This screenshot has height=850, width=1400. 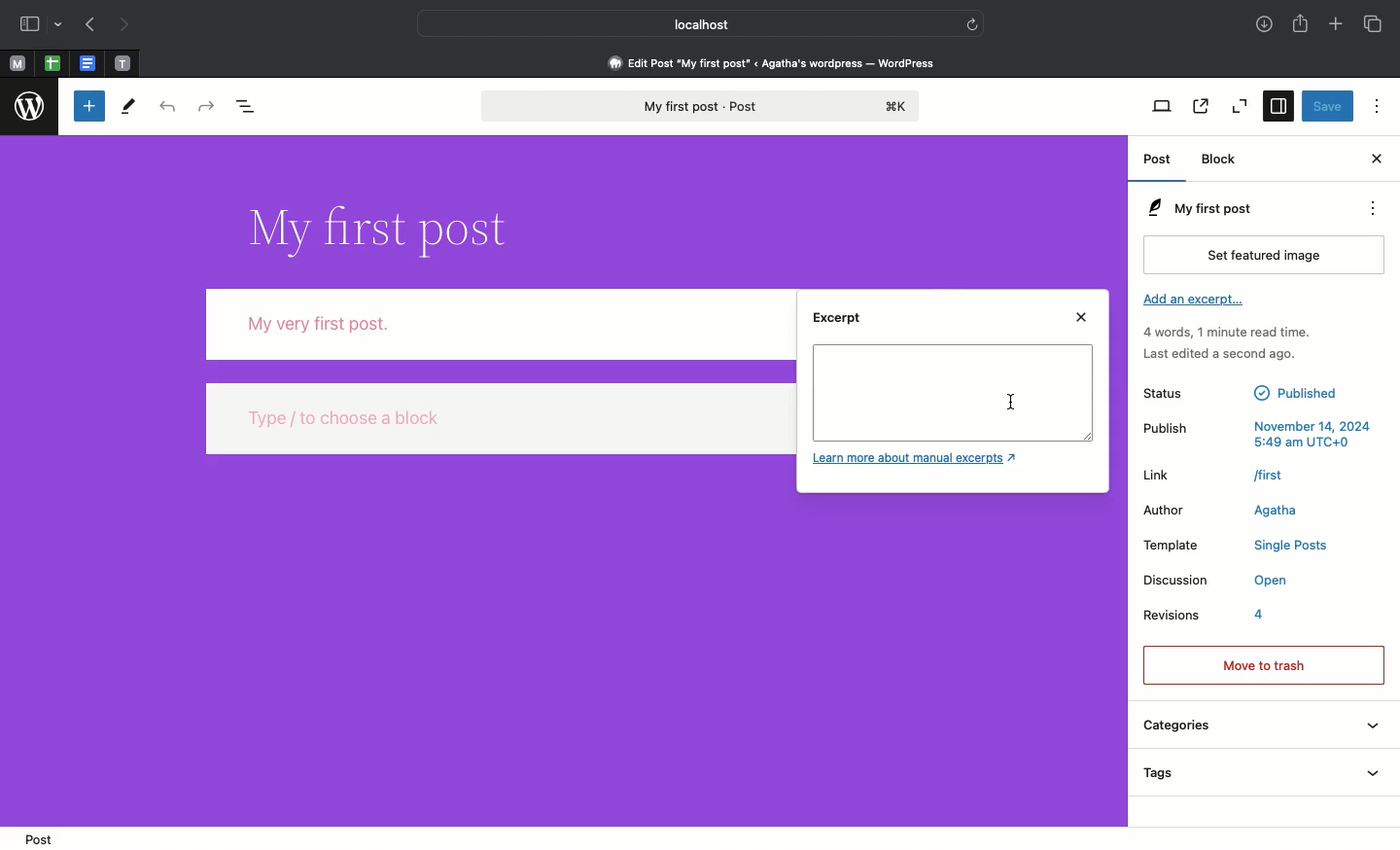 I want to click on Learn more, so click(x=919, y=460).